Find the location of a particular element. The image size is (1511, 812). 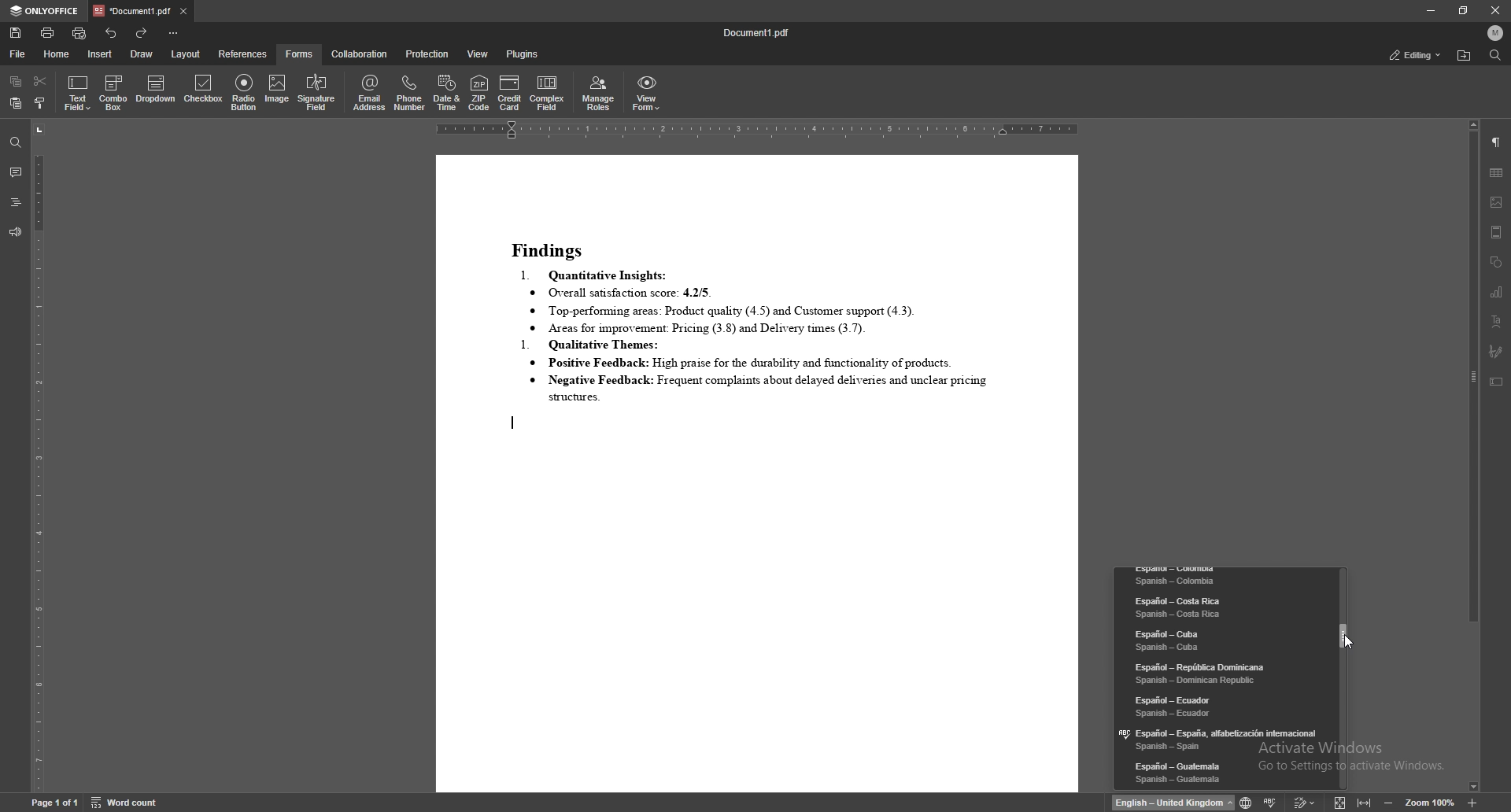

forms is located at coordinates (300, 54).